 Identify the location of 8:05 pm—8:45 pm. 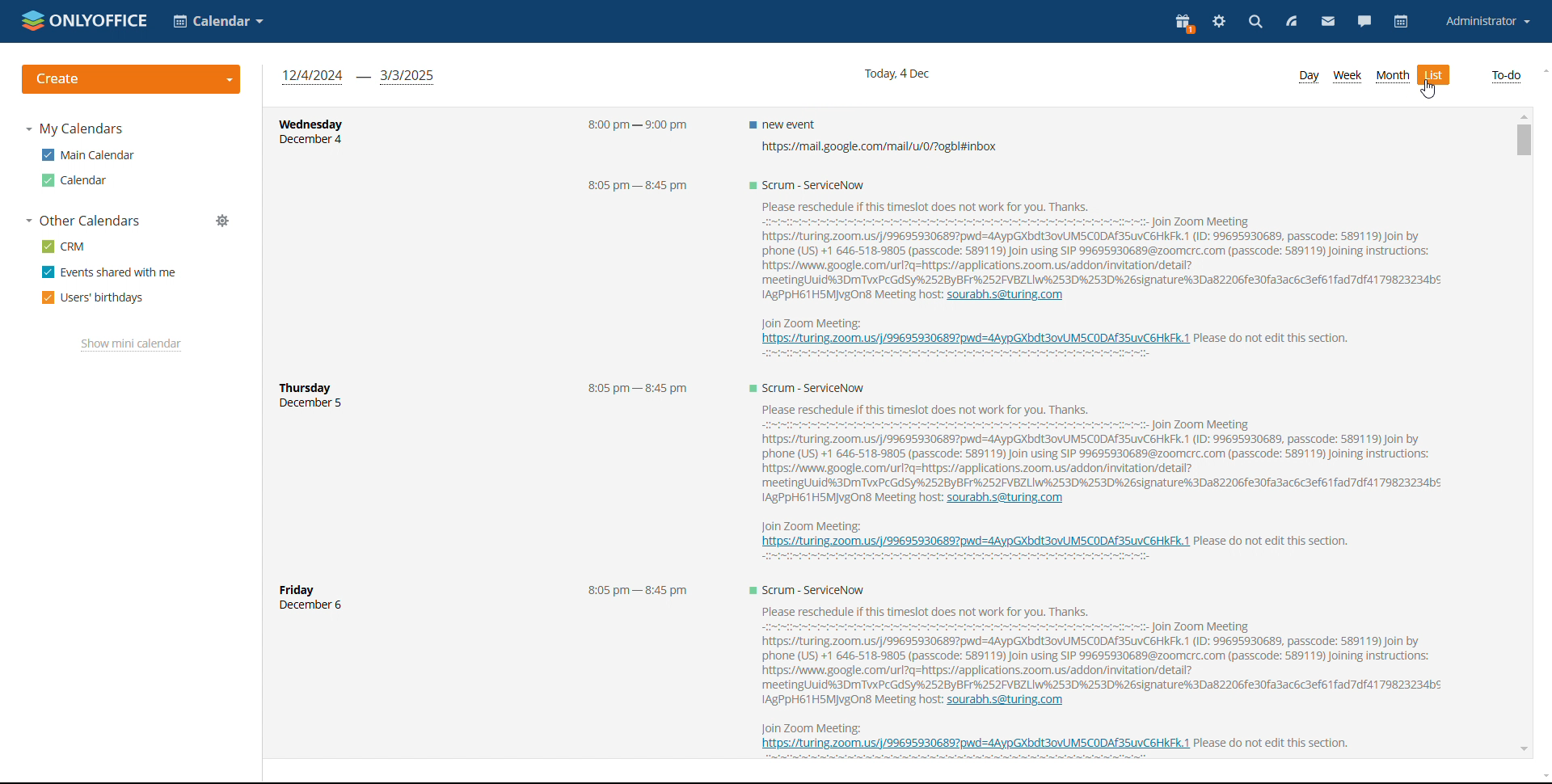
(631, 592).